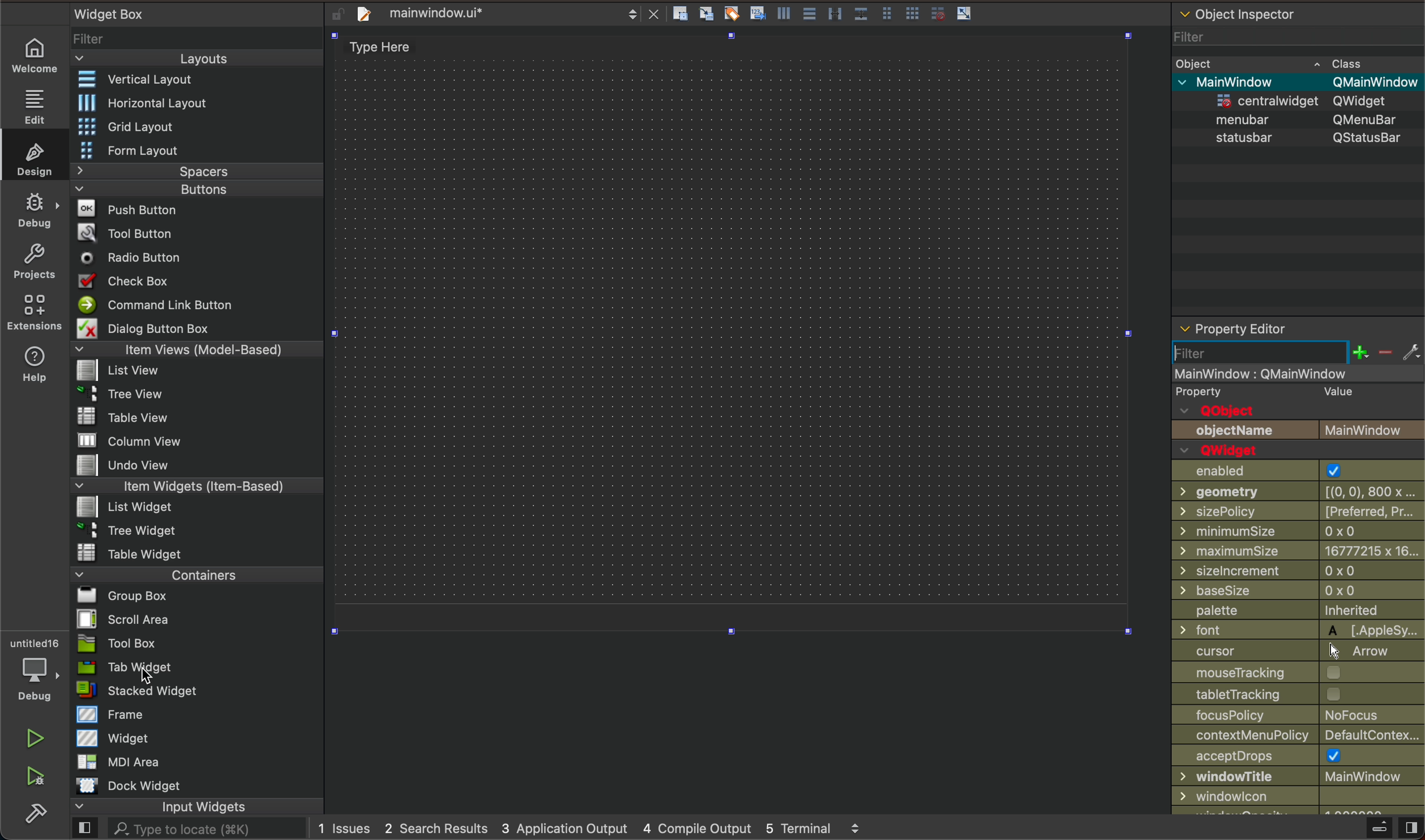  I want to click on run and debuh, so click(42, 777).